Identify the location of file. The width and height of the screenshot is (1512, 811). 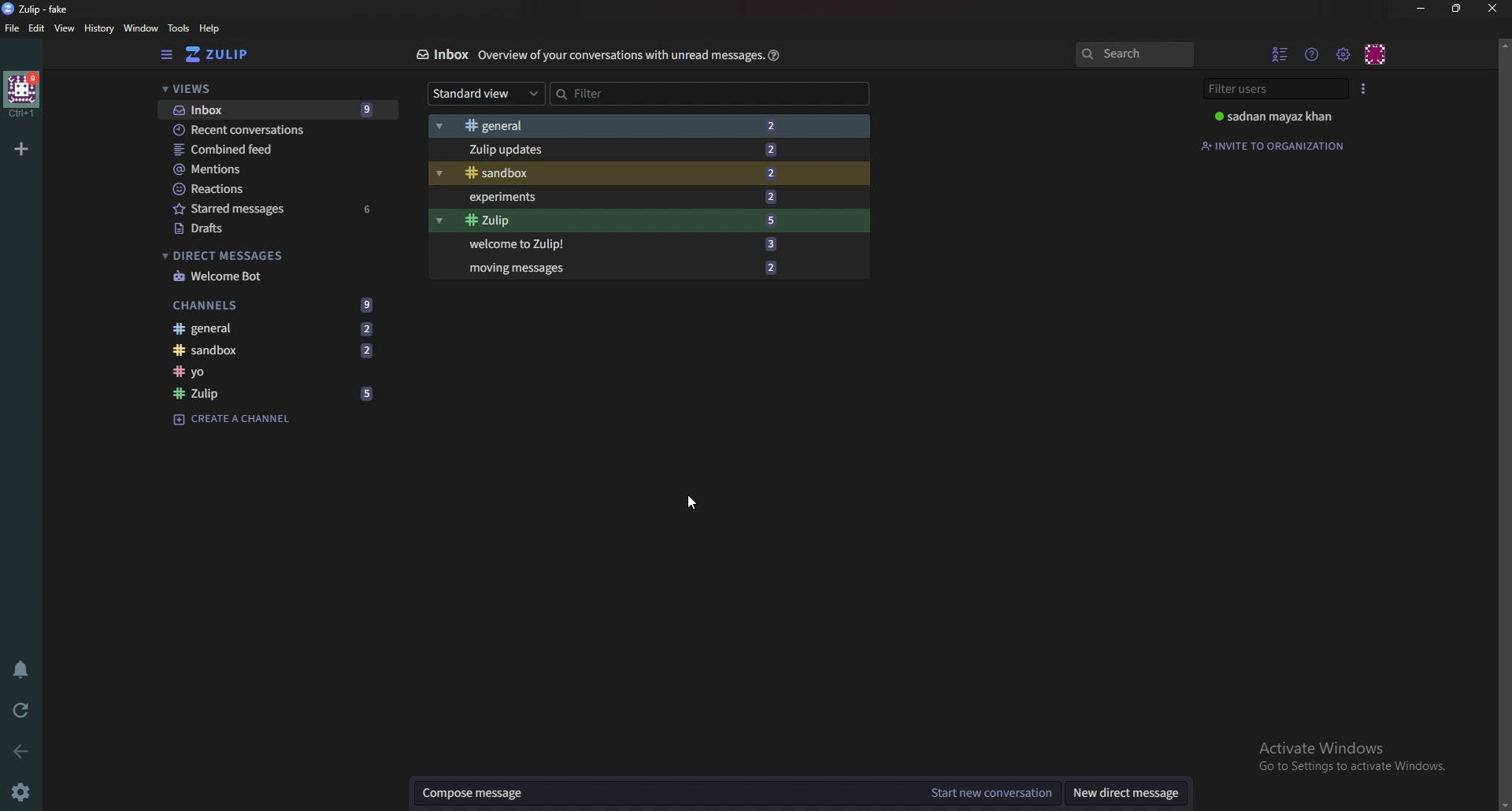
(12, 28).